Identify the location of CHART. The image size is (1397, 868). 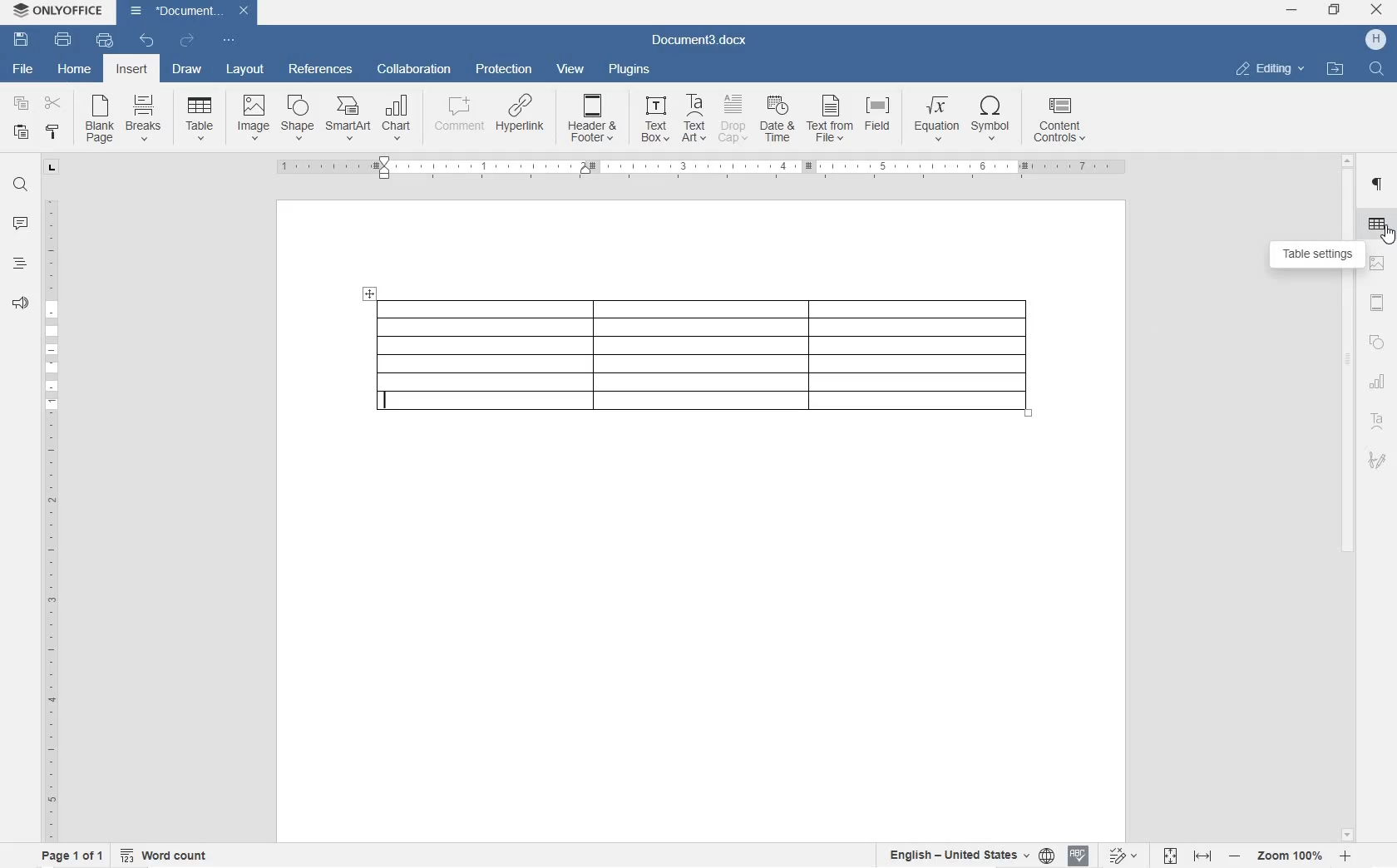
(396, 121).